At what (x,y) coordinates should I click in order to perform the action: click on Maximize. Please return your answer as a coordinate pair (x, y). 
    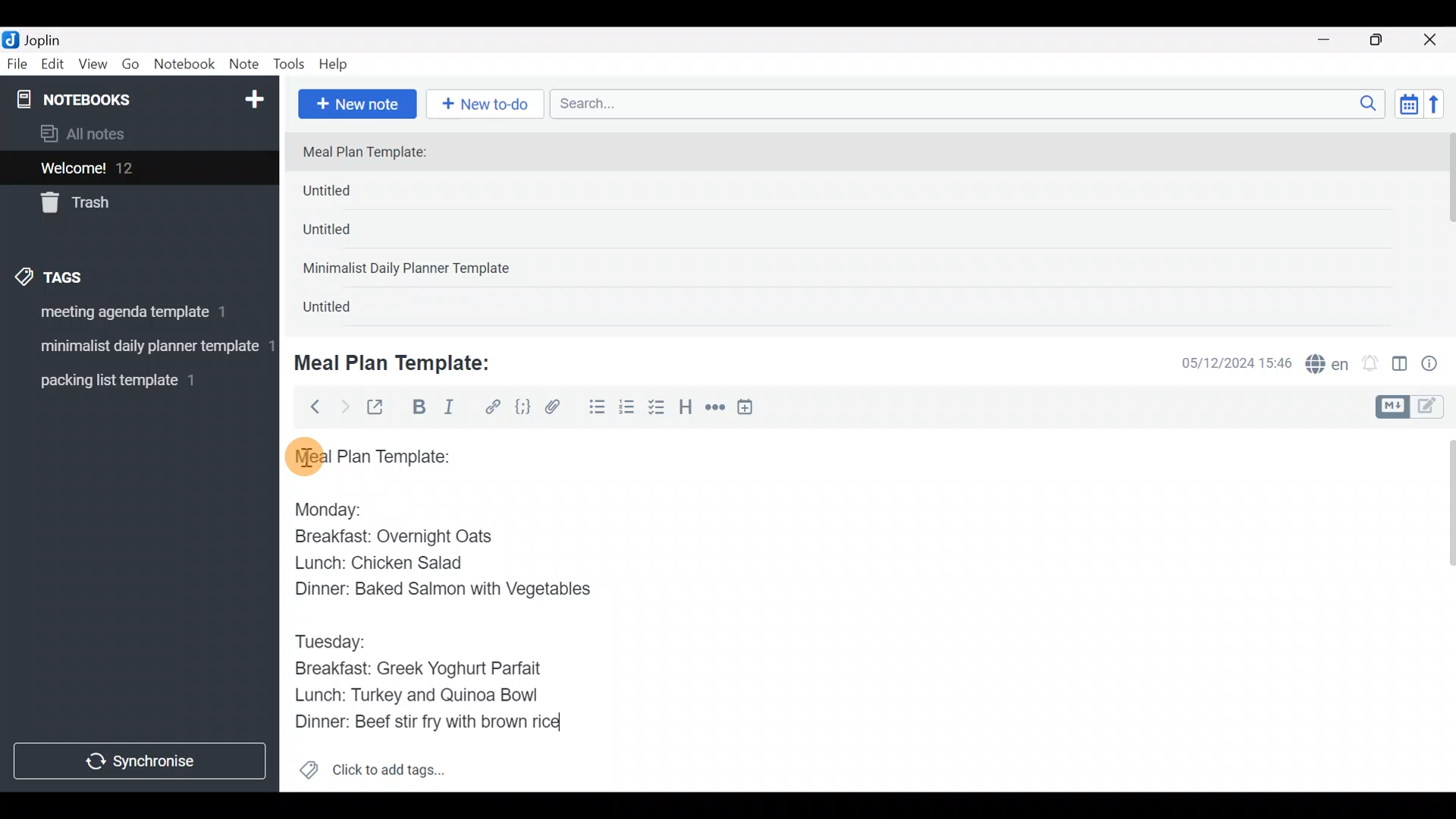
    Looking at the image, I should click on (1385, 40).